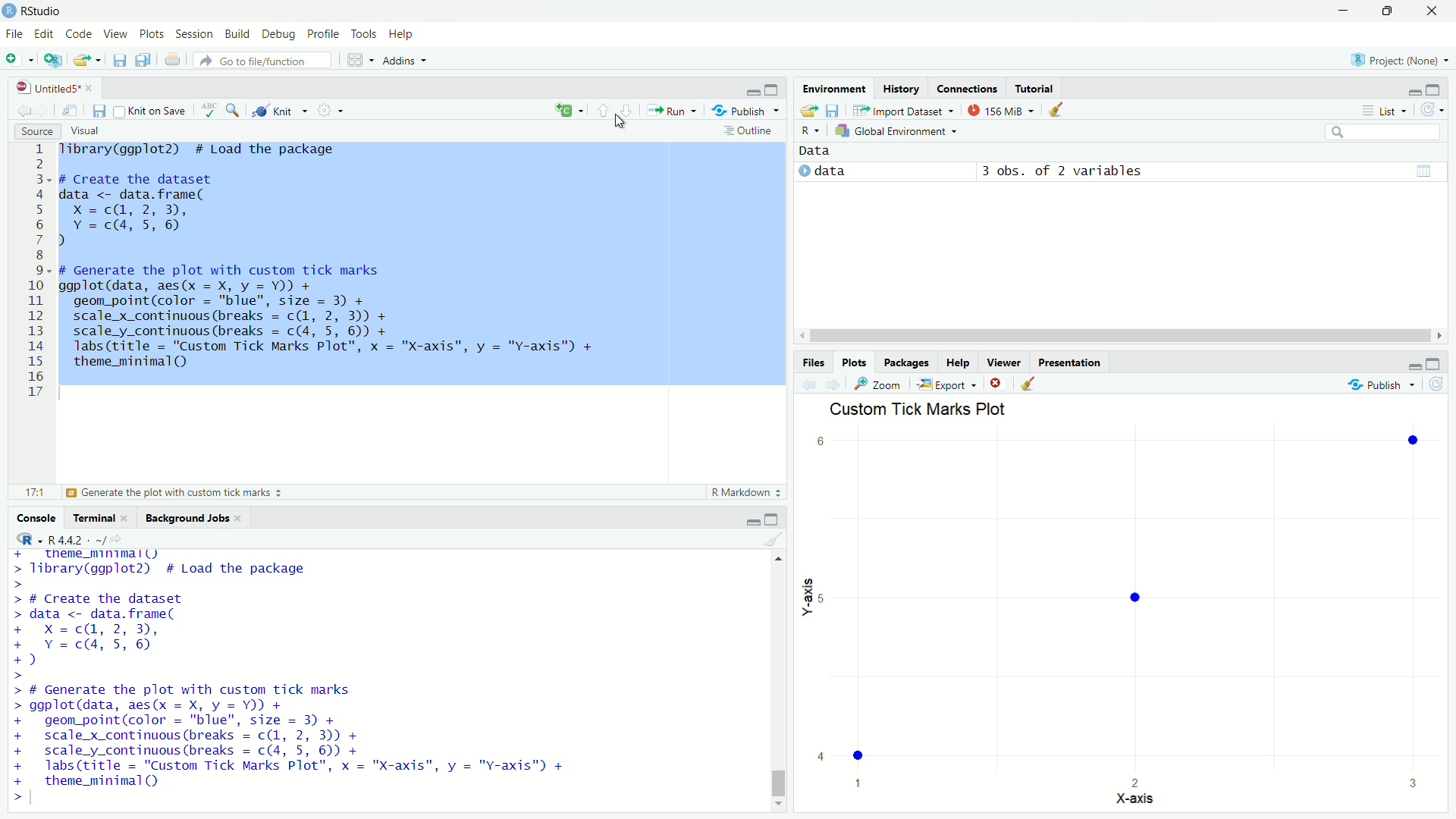  Describe the element at coordinates (93, 518) in the screenshot. I see `terminal` at that location.